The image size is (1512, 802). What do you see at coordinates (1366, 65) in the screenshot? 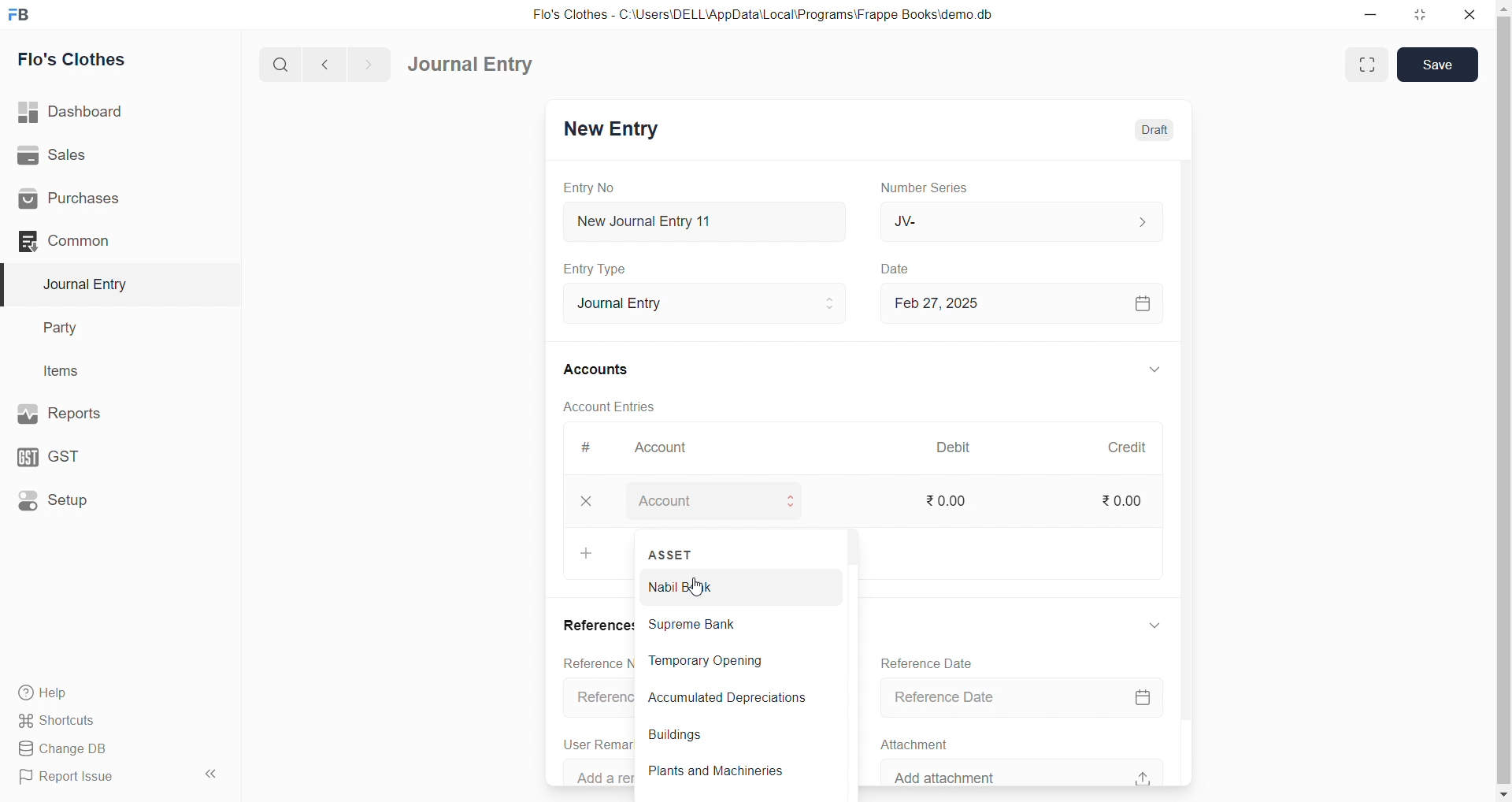
I see `Fit window` at bounding box center [1366, 65].